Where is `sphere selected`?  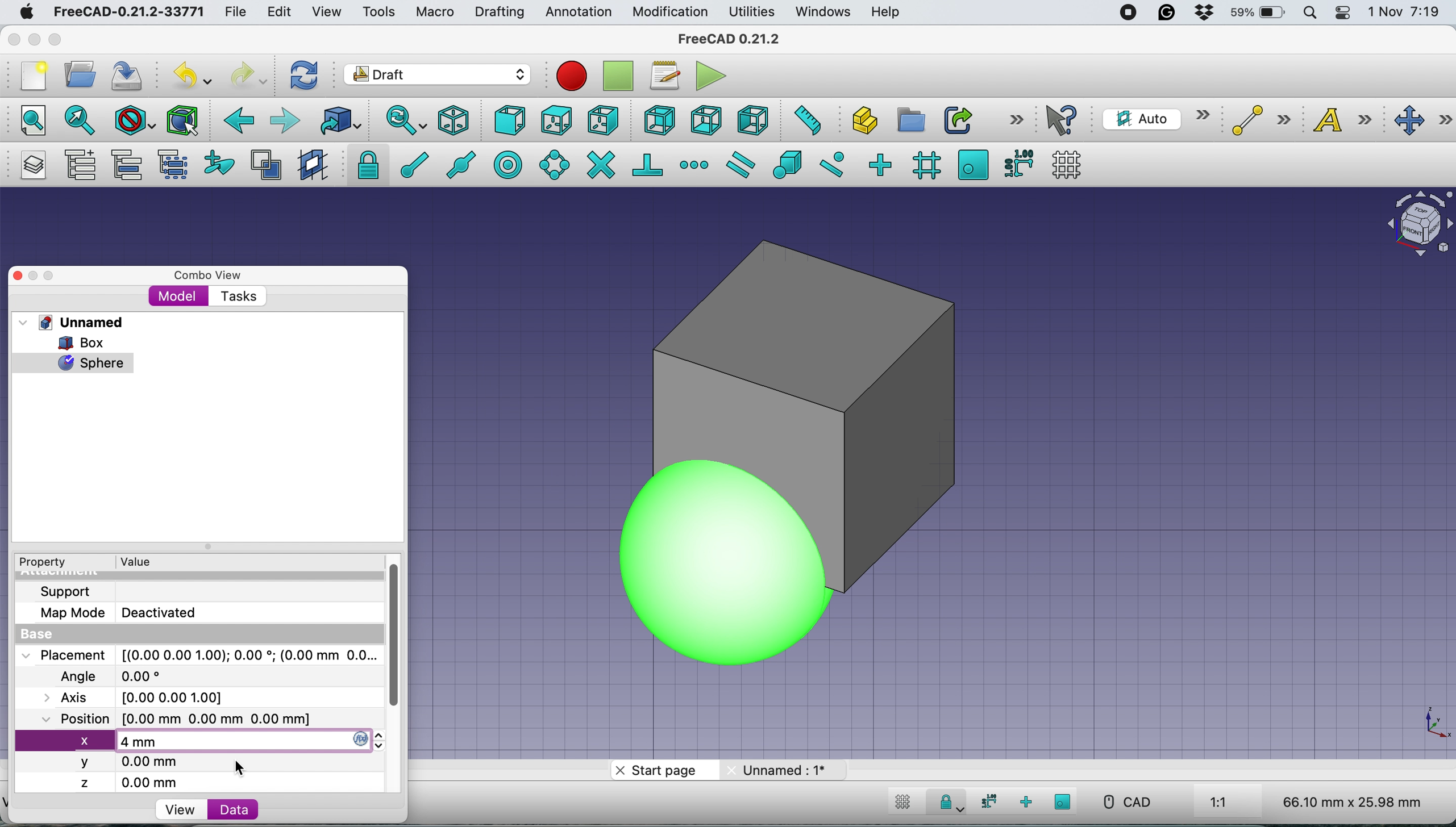
sphere selected is located at coordinates (73, 360).